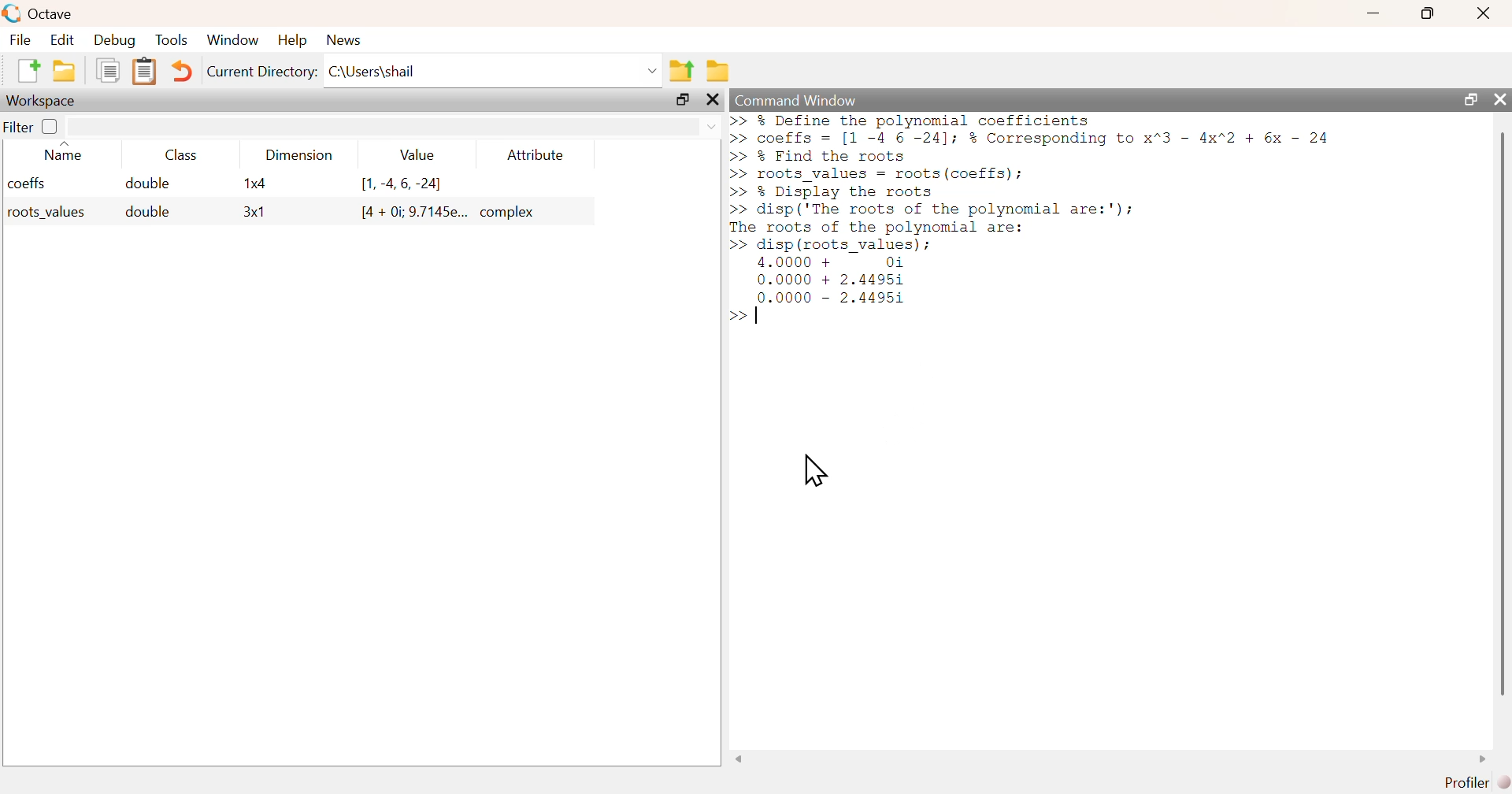 The width and height of the screenshot is (1512, 794). I want to click on minimize, so click(1374, 13).